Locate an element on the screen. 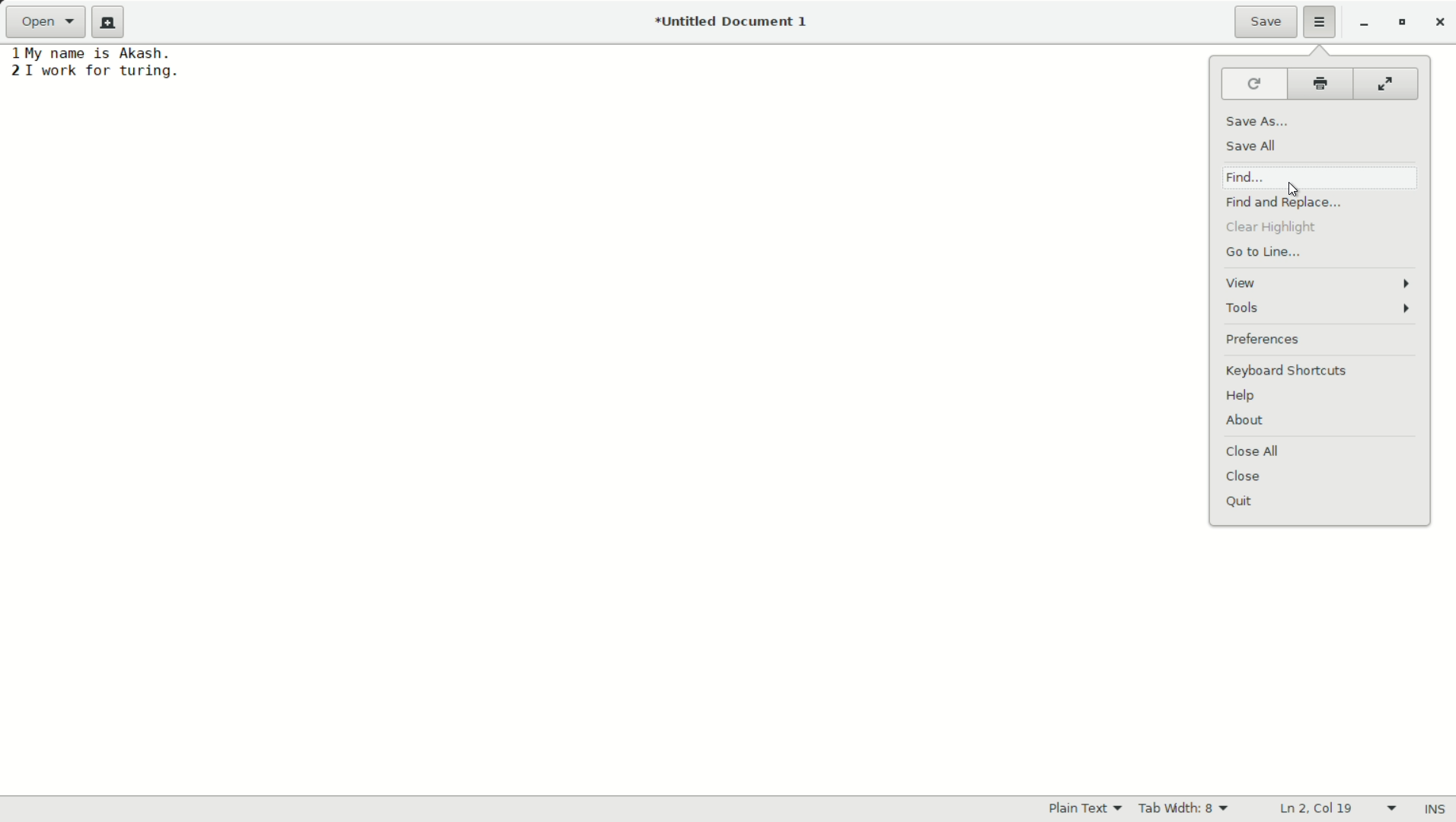 The height and width of the screenshot is (822, 1456). find is located at coordinates (1247, 177).